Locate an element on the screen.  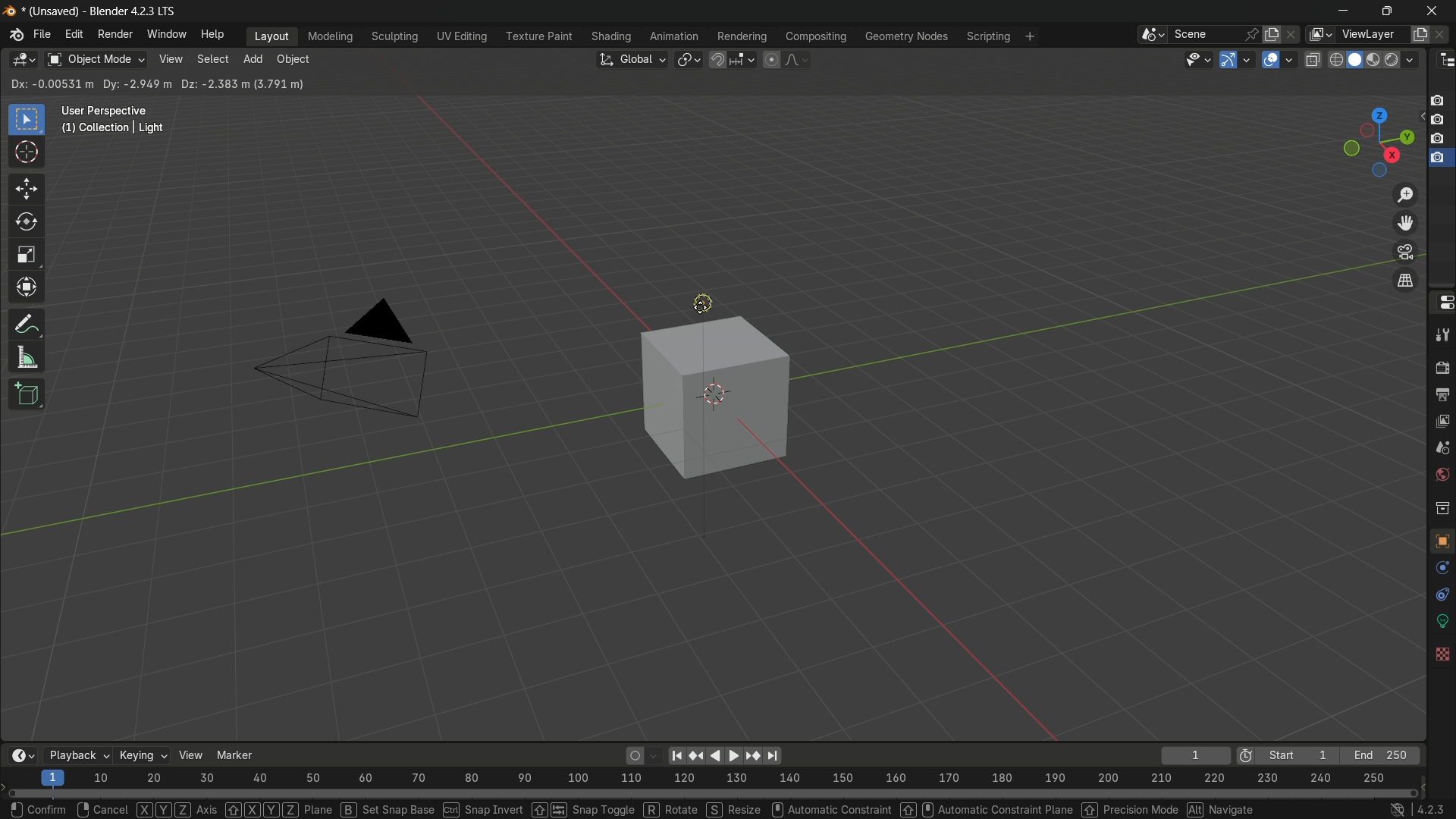
jump to endpoint is located at coordinates (676, 755).